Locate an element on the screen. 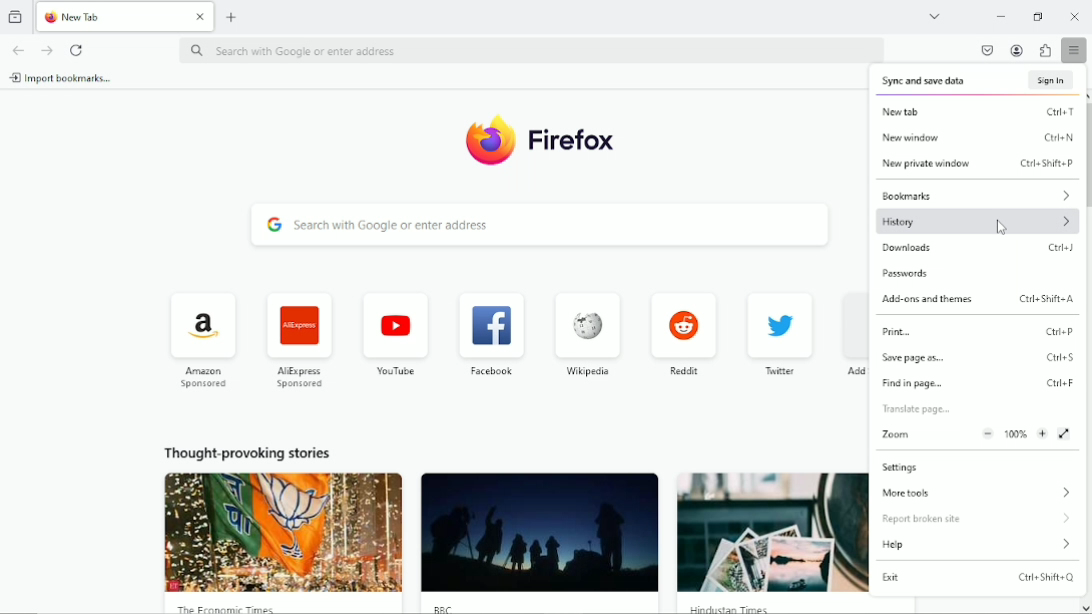 This screenshot has width=1092, height=614. image is located at coordinates (285, 532).